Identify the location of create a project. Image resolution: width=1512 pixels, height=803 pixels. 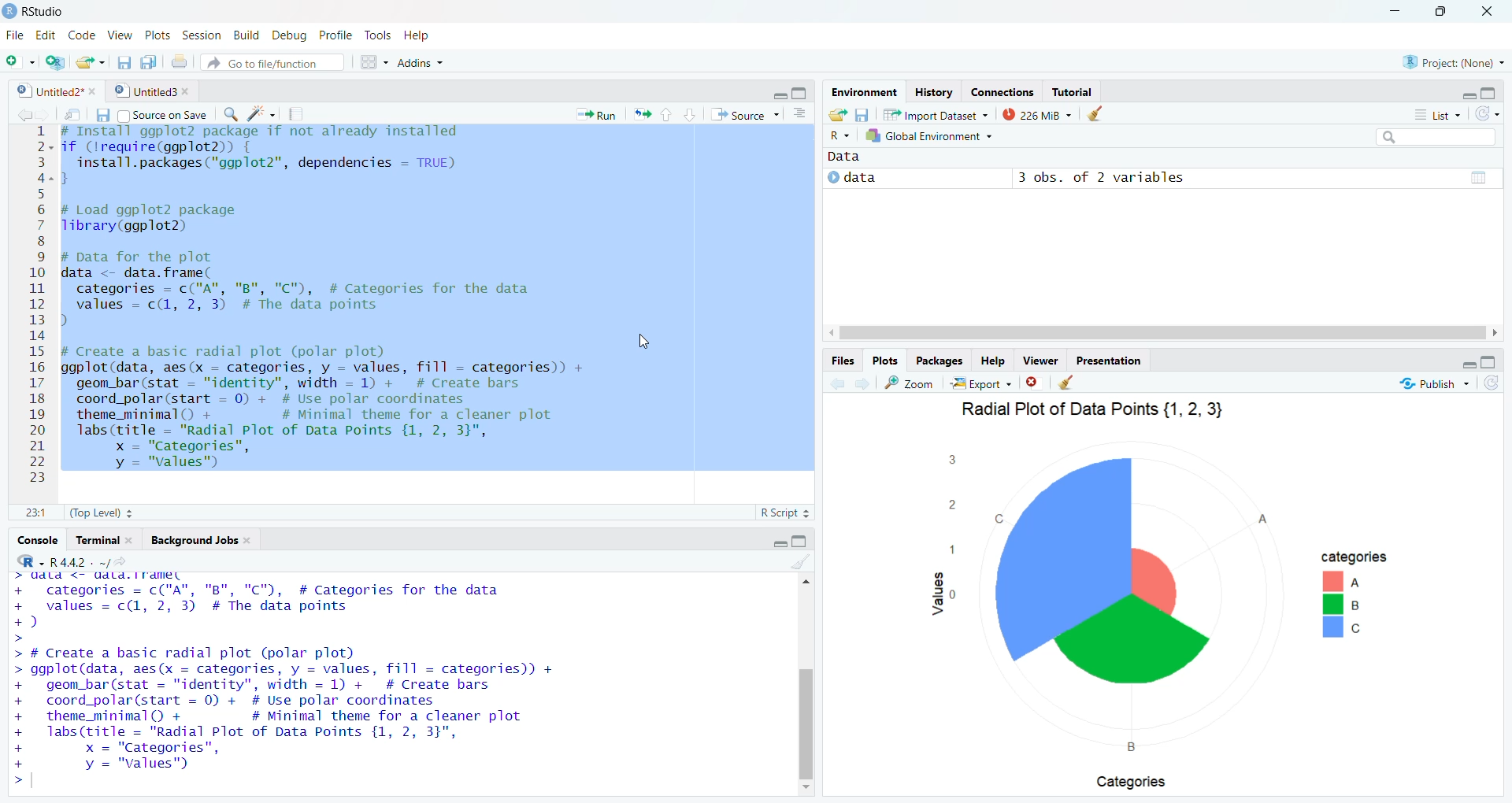
(54, 61).